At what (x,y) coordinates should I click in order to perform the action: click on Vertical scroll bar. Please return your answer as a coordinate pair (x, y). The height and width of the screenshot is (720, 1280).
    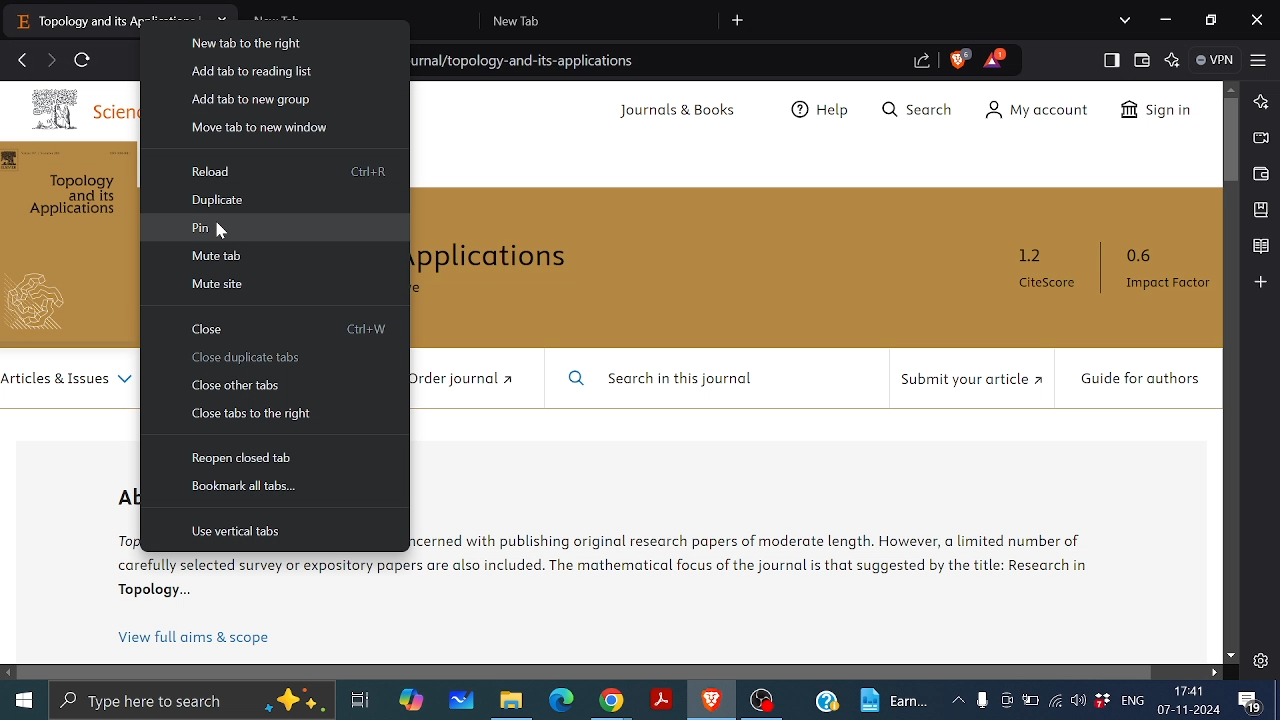
    Looking at the image, I should click on (1231, 140).